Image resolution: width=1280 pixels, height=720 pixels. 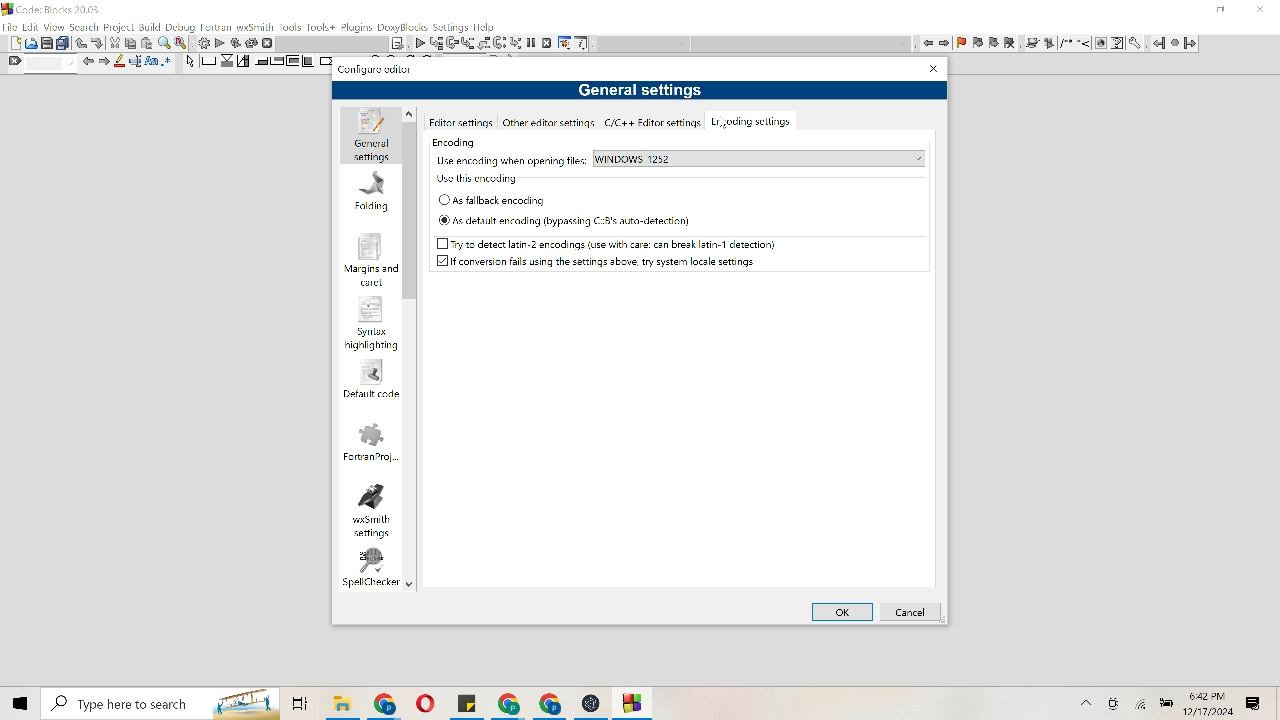 What do you see at coordinates (56, 42) in the screenshot?
I see `Print and duplicate` at bounding box center [56, 42].